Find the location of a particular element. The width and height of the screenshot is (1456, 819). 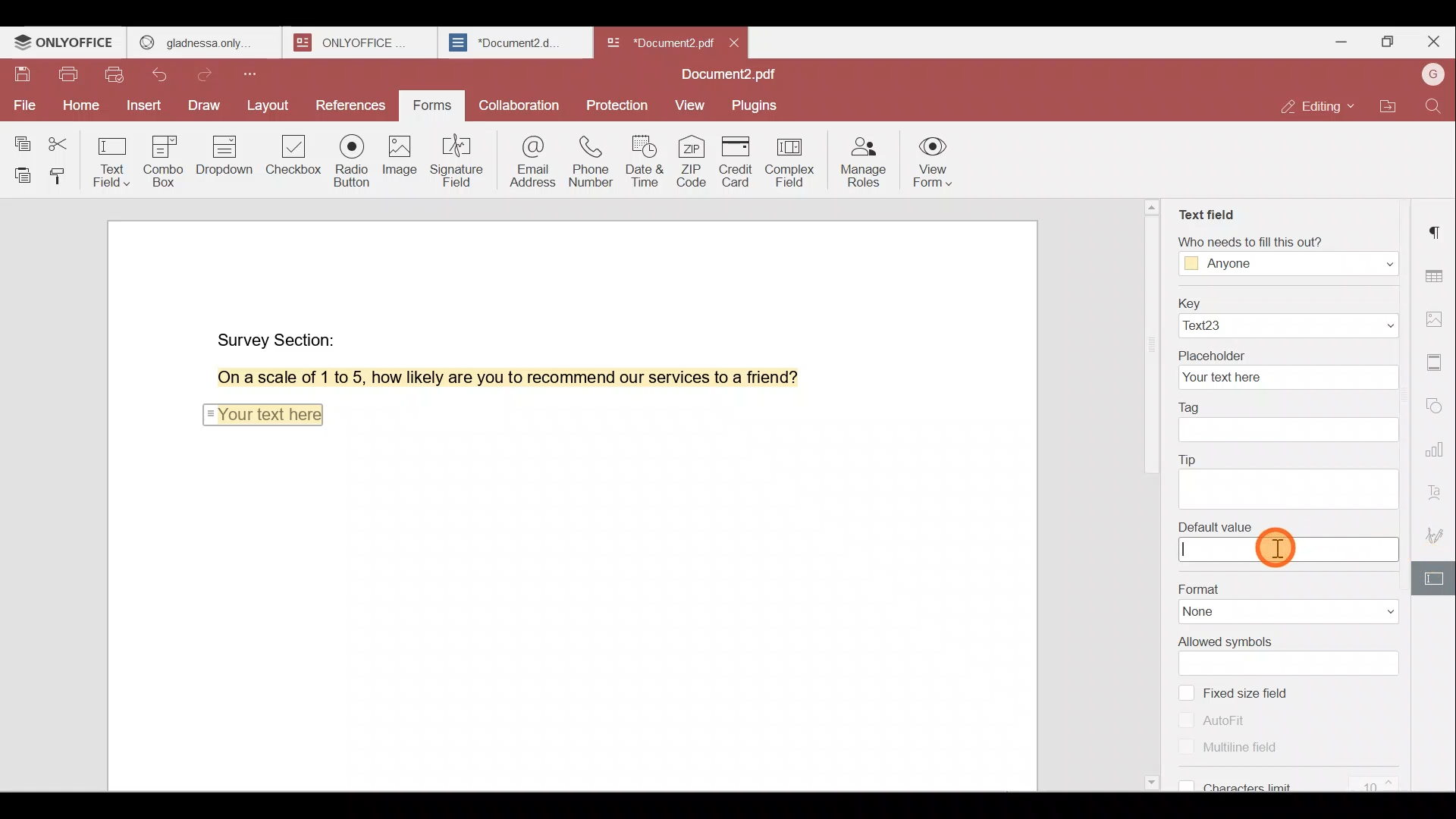

Key is located at coordinates (1286, 315).